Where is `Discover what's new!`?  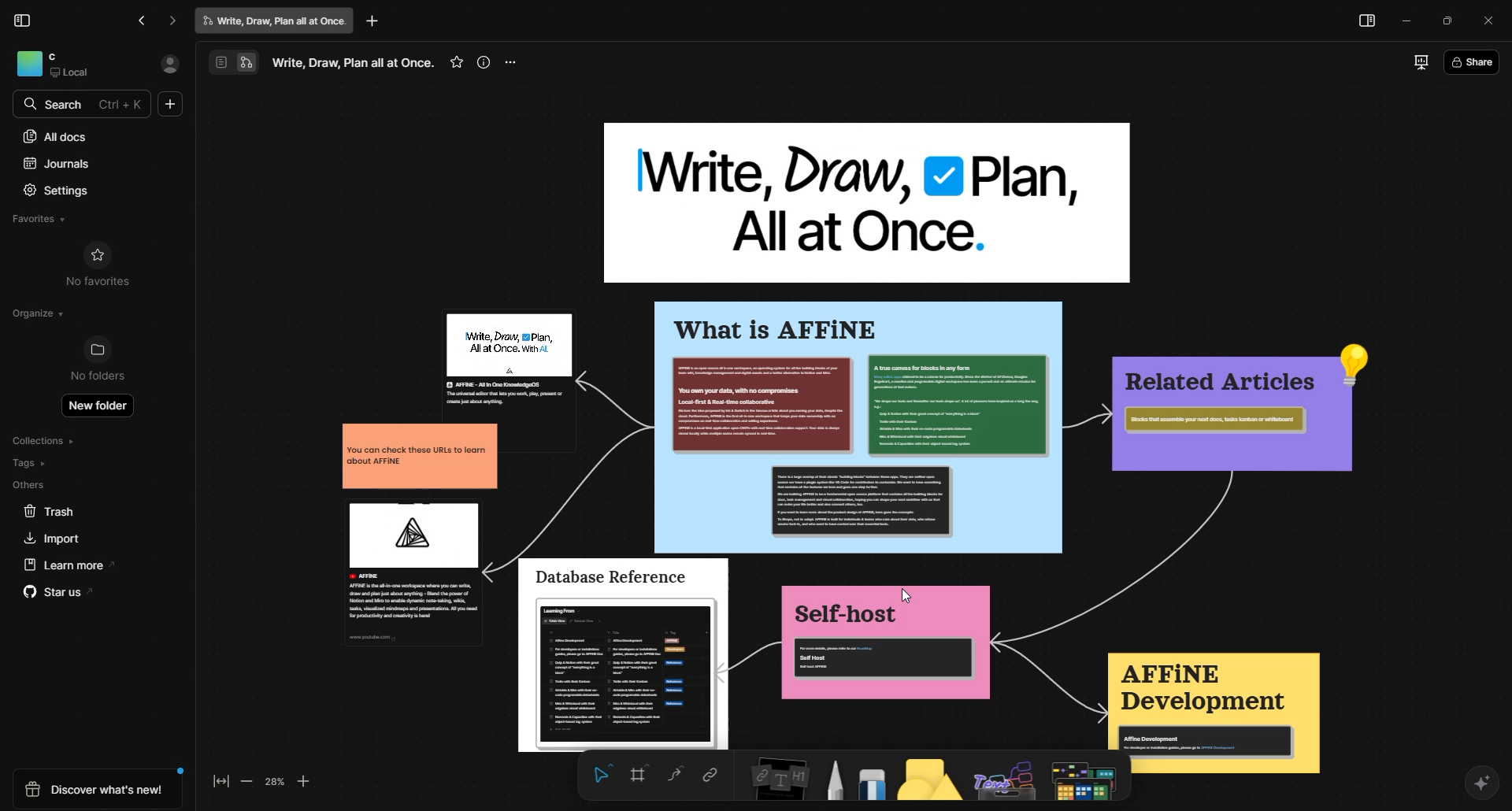 Discover what's new! is located at coordinates (97, 790).